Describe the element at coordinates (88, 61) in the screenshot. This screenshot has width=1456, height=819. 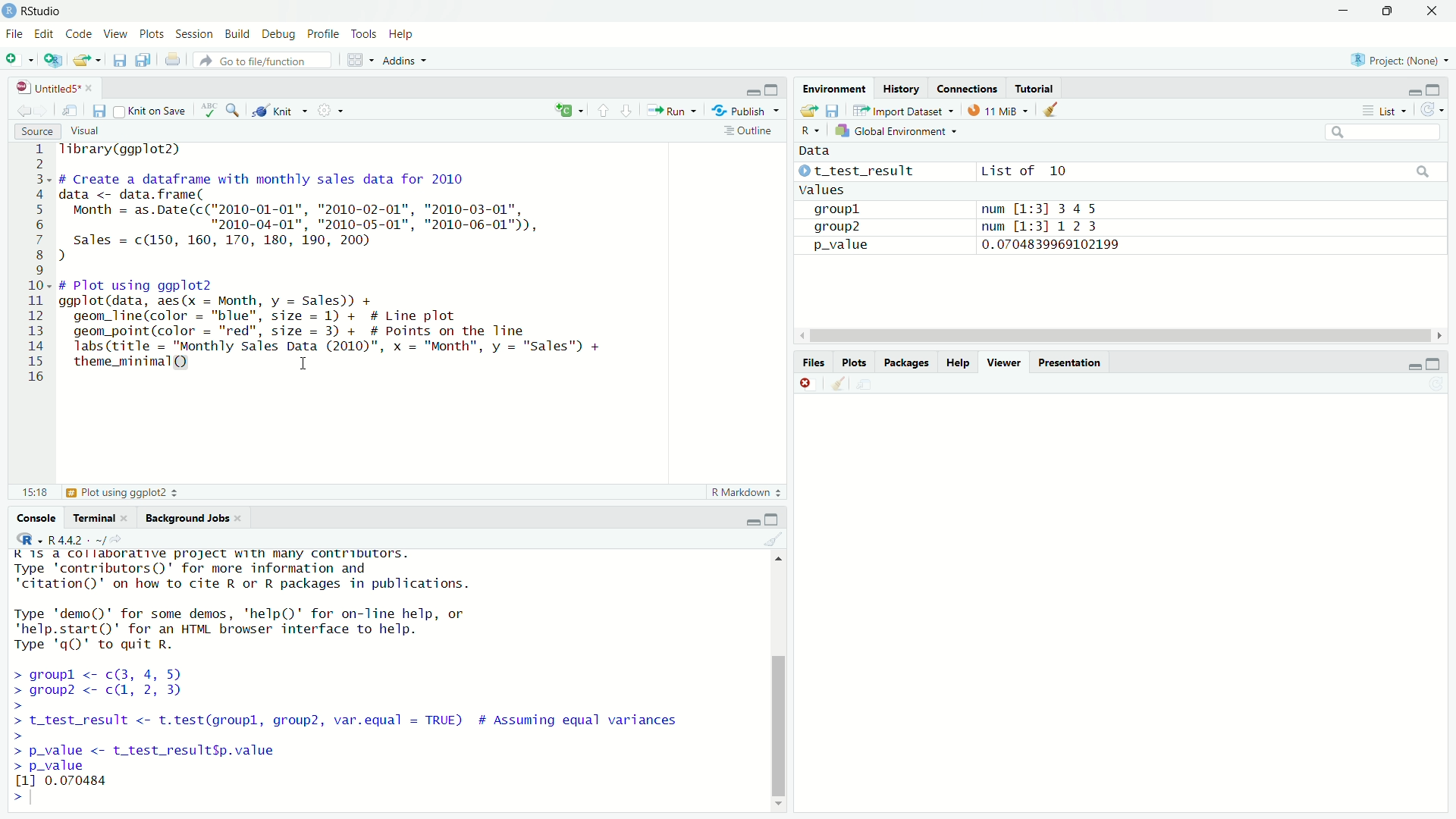
I see `open an existing file` at that location.